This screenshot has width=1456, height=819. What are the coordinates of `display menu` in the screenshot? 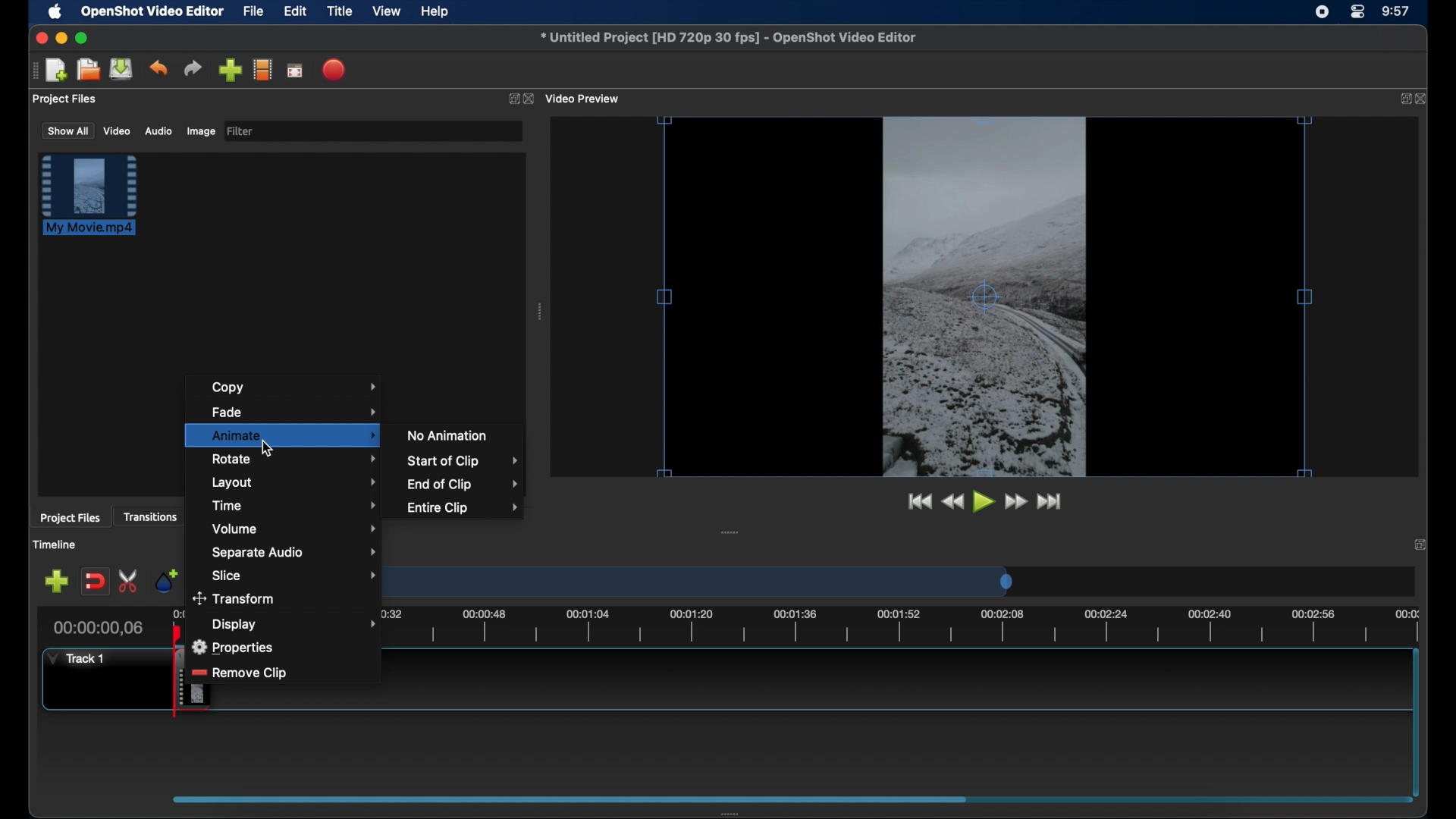 It's located at (293, 624).